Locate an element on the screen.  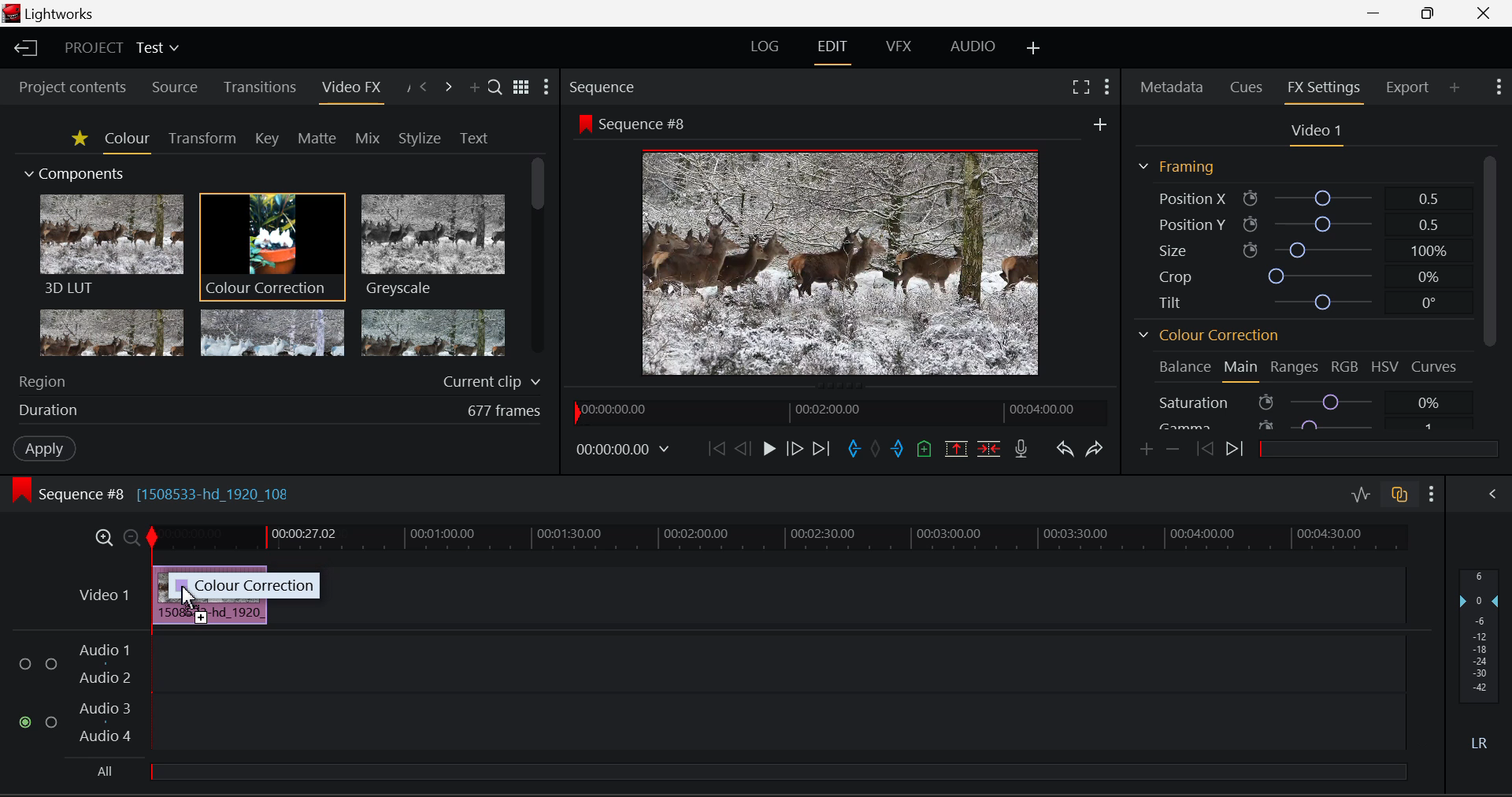
Go Back is located at coordinates (742, 449).